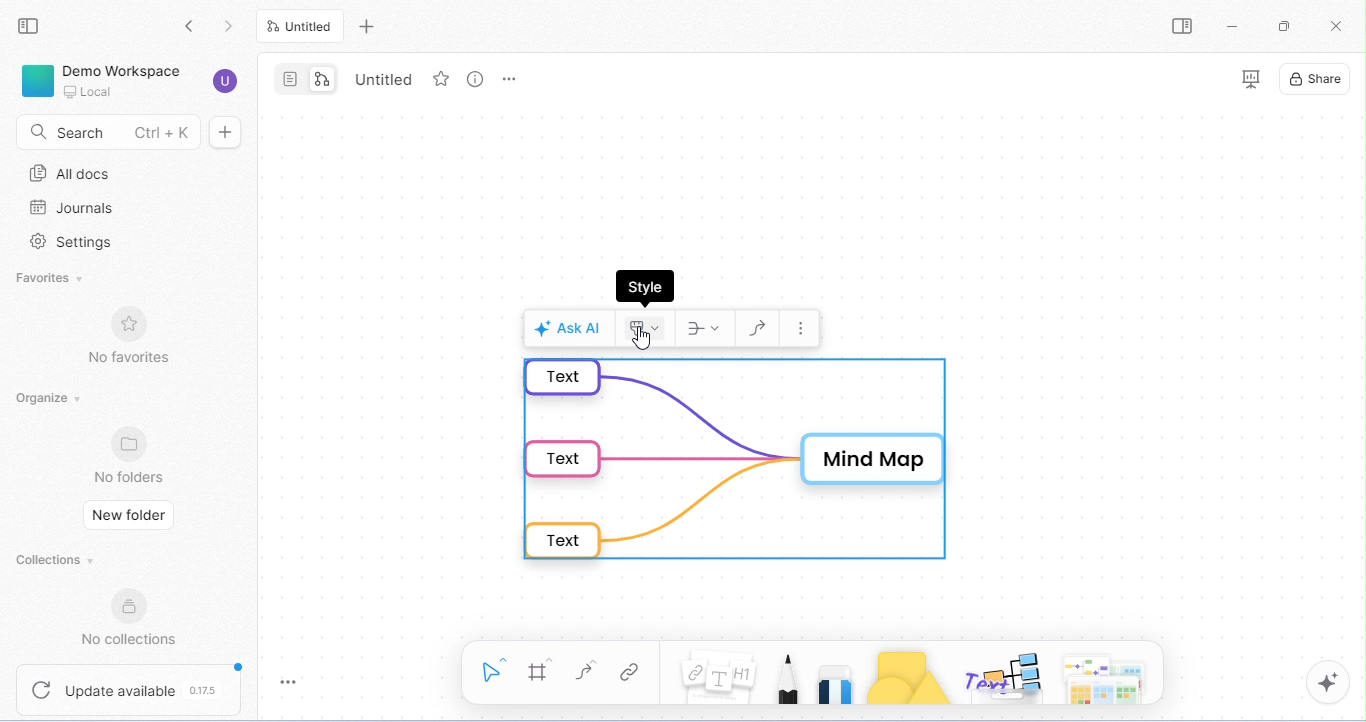 Image resolution: width=1366 pixels, height=722 pixels. Describe the element at coordinates (1286, 26) in the screenshot. I see `maximize` at that location.